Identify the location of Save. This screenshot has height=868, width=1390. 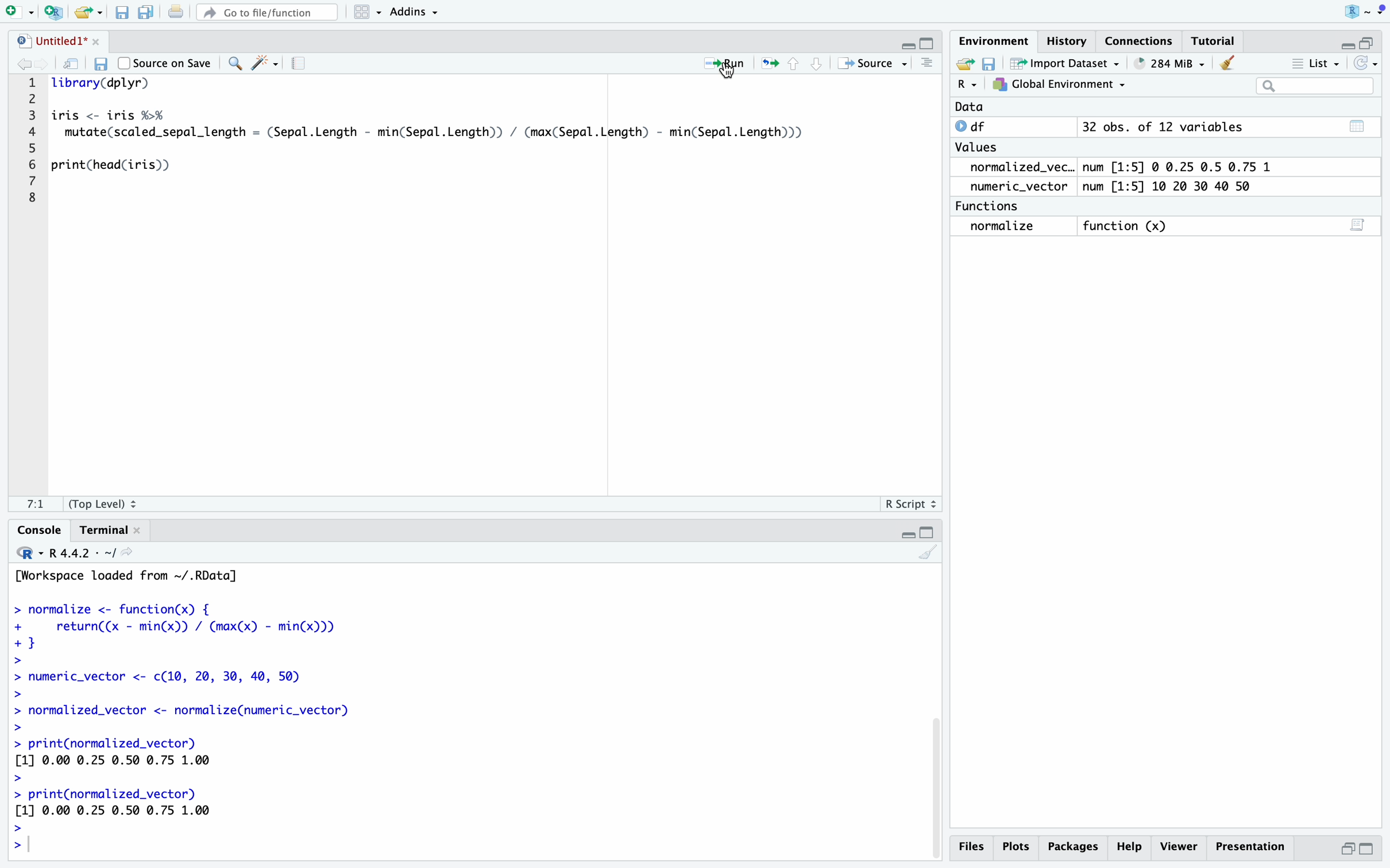
(99, 63).